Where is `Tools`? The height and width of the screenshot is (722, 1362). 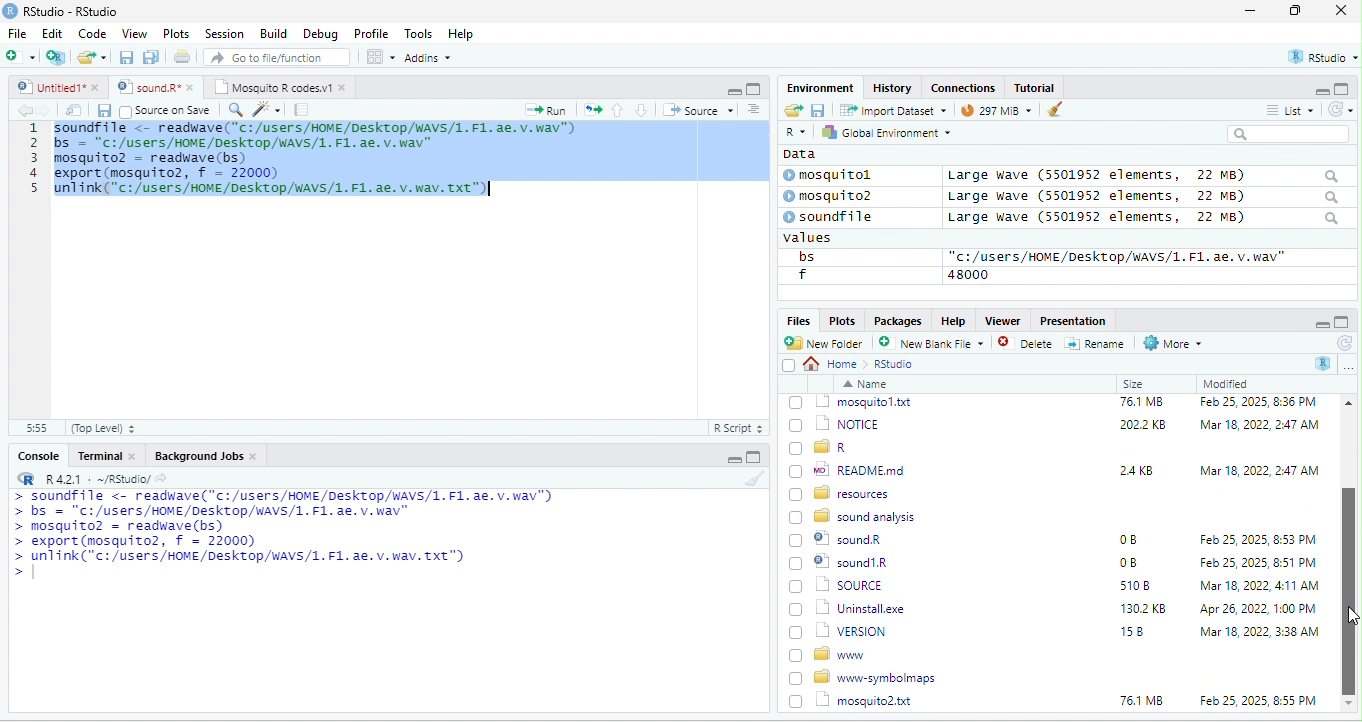
Tools is located at coordinates (419, 33).